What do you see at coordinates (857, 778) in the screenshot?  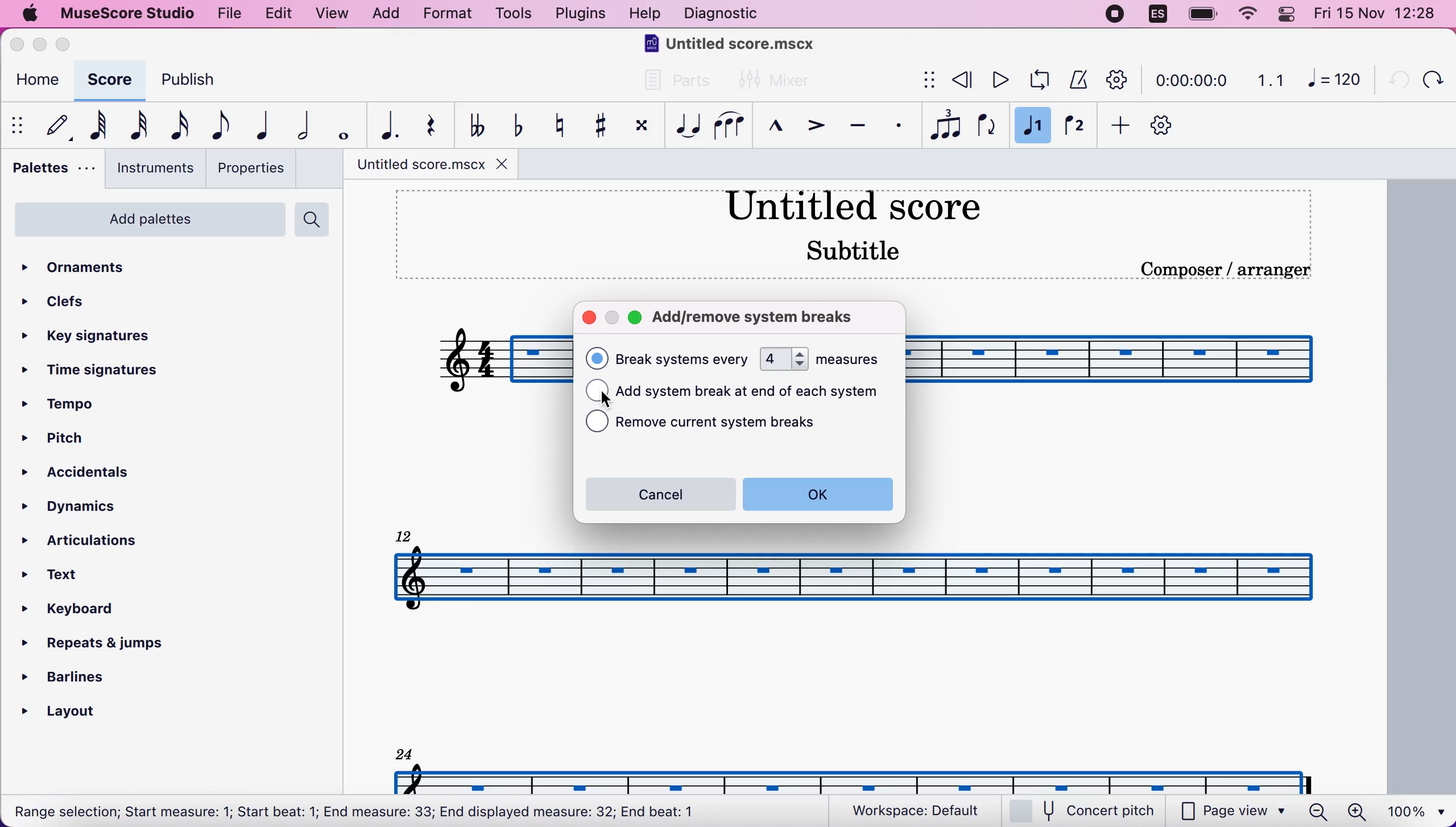 I see `score` at bounding box center [857, 778].